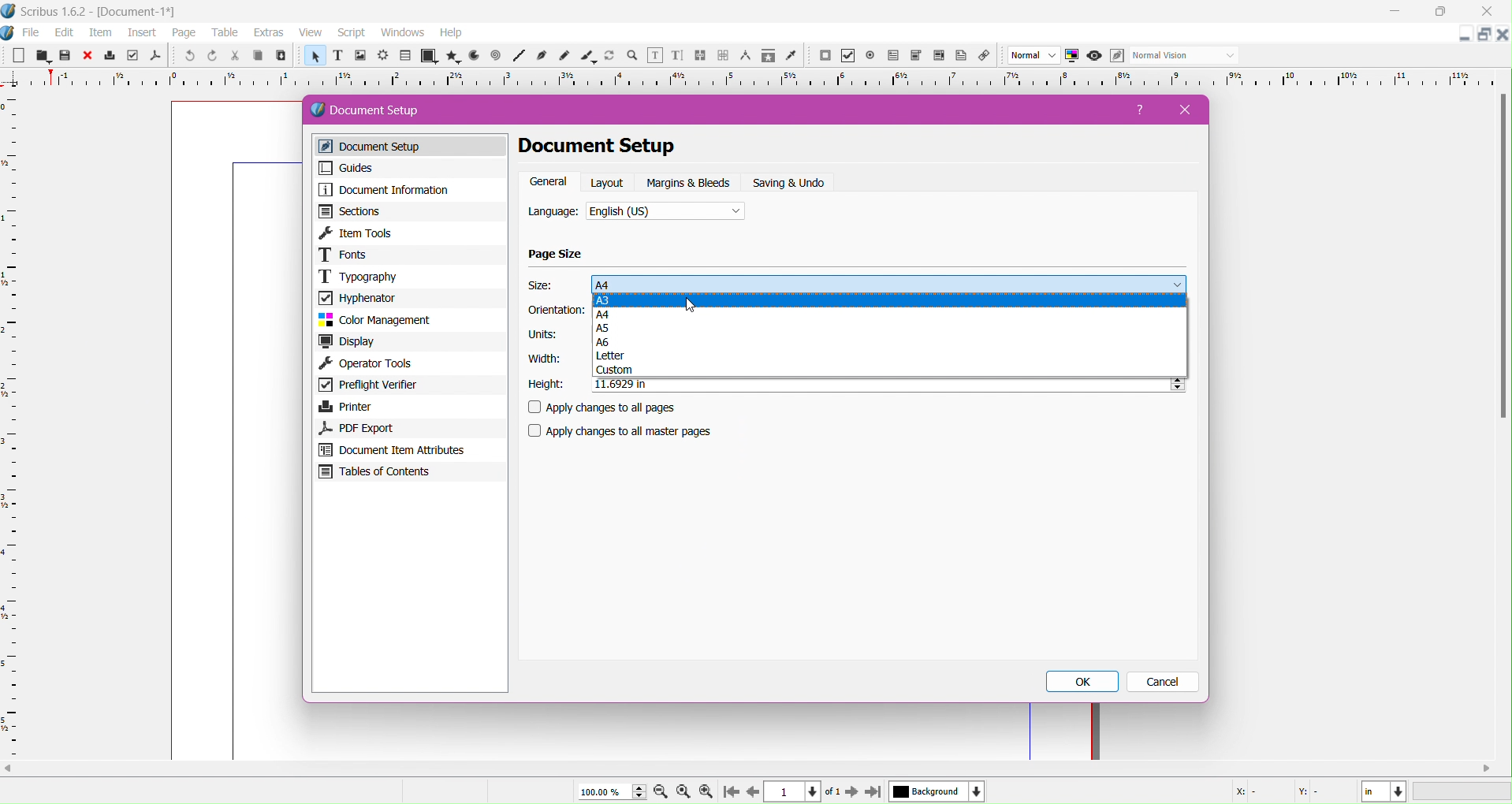 The height and width of the screenshot is (804, 1512). I want to click on render frame, so click(382, 56).